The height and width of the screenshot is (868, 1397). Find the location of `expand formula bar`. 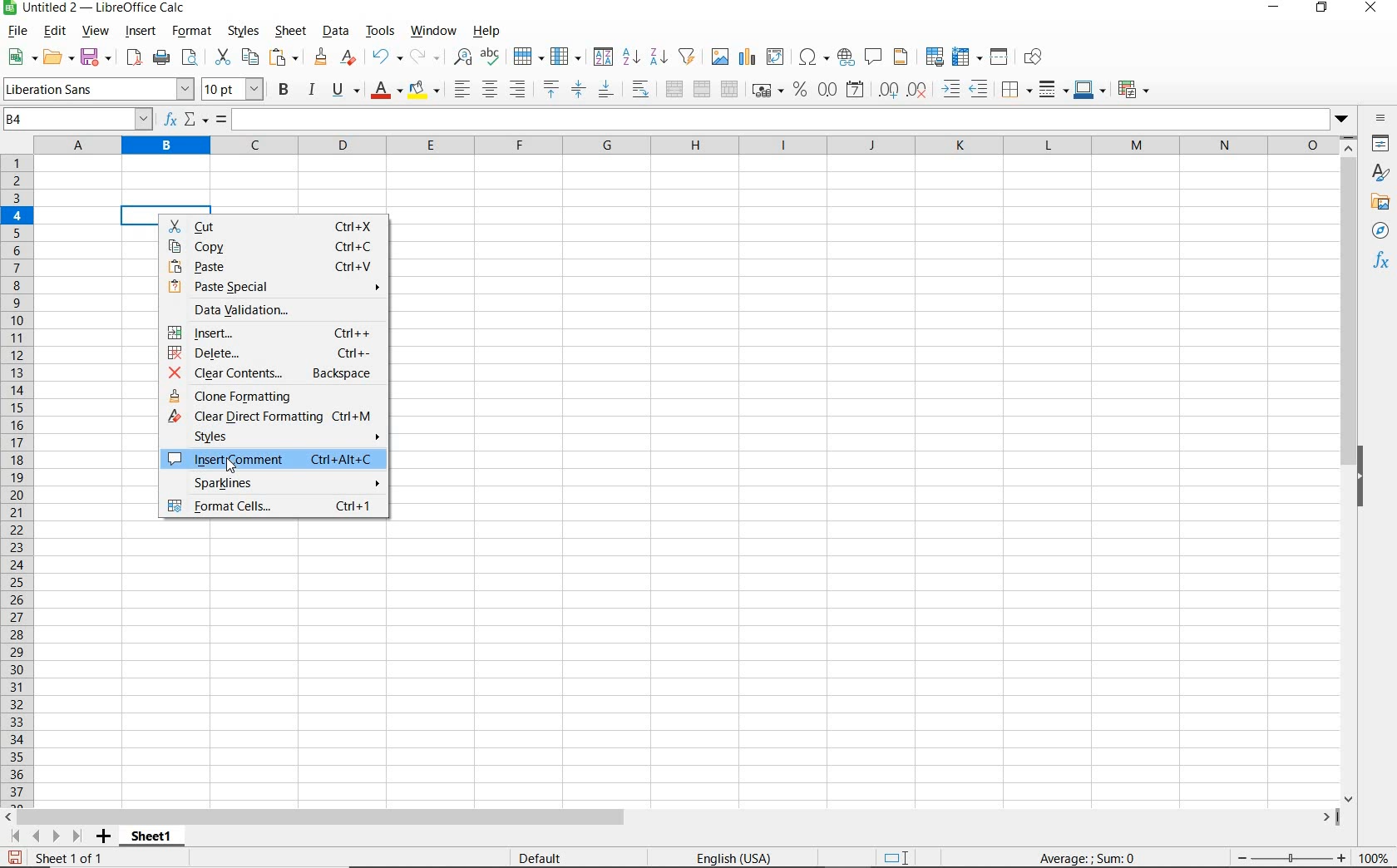

expand formula bar is located at coordinates (795, 119).